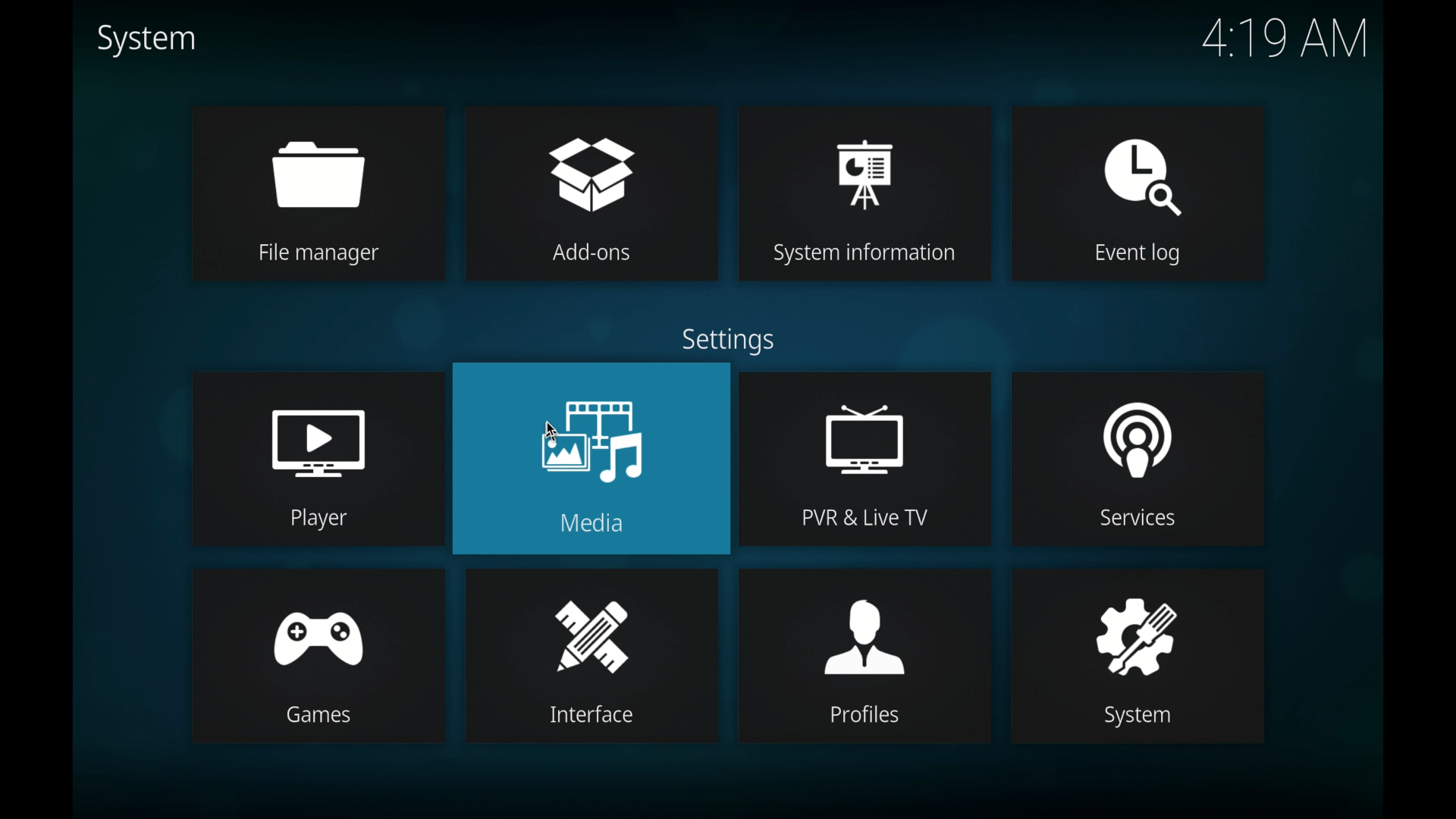 Image resolution: width=1456 pixels, height=819 pixels. I want to click on media, so click(591, 458).